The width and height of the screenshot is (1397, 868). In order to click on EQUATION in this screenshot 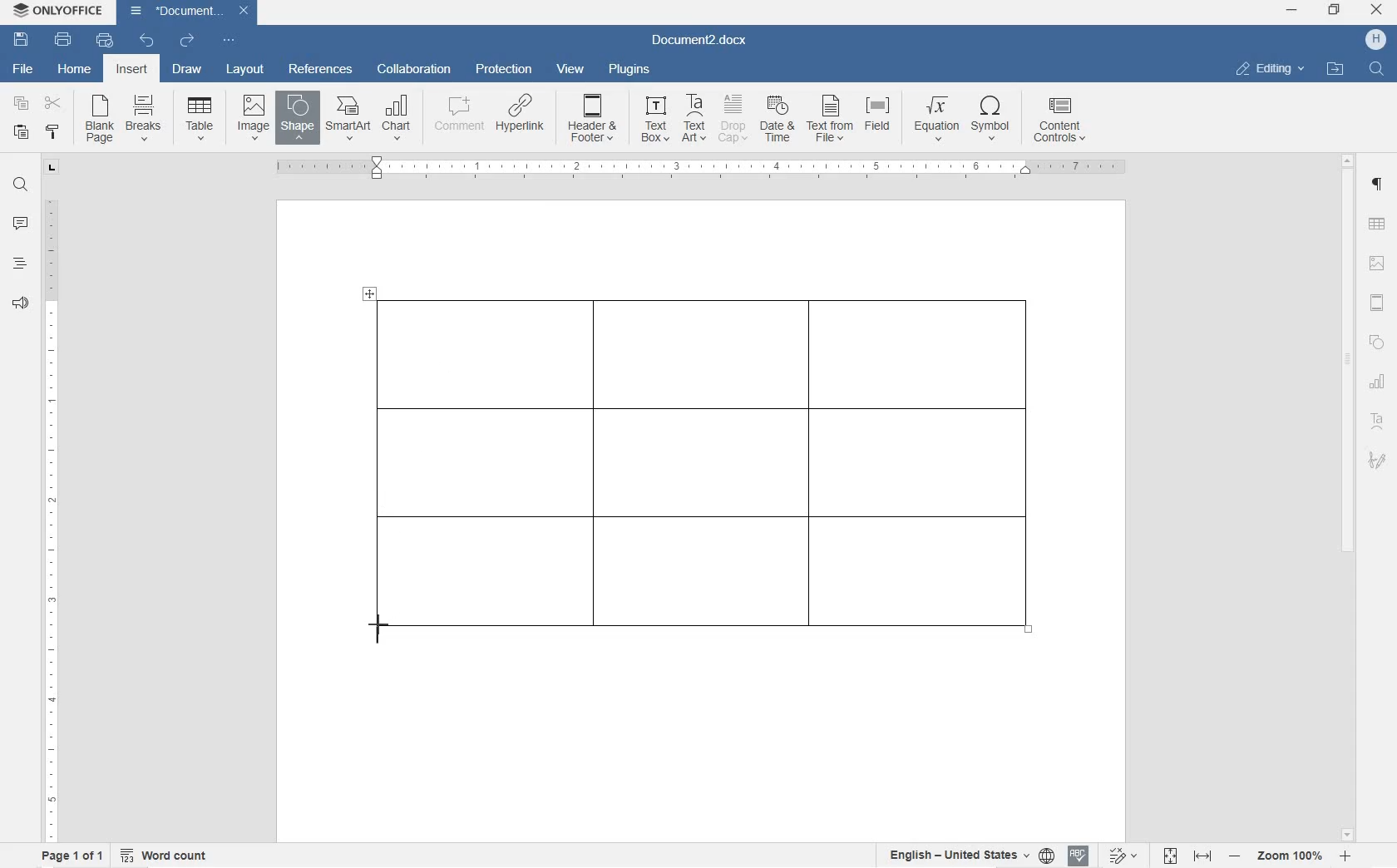, I will do `click(937, 119)`.